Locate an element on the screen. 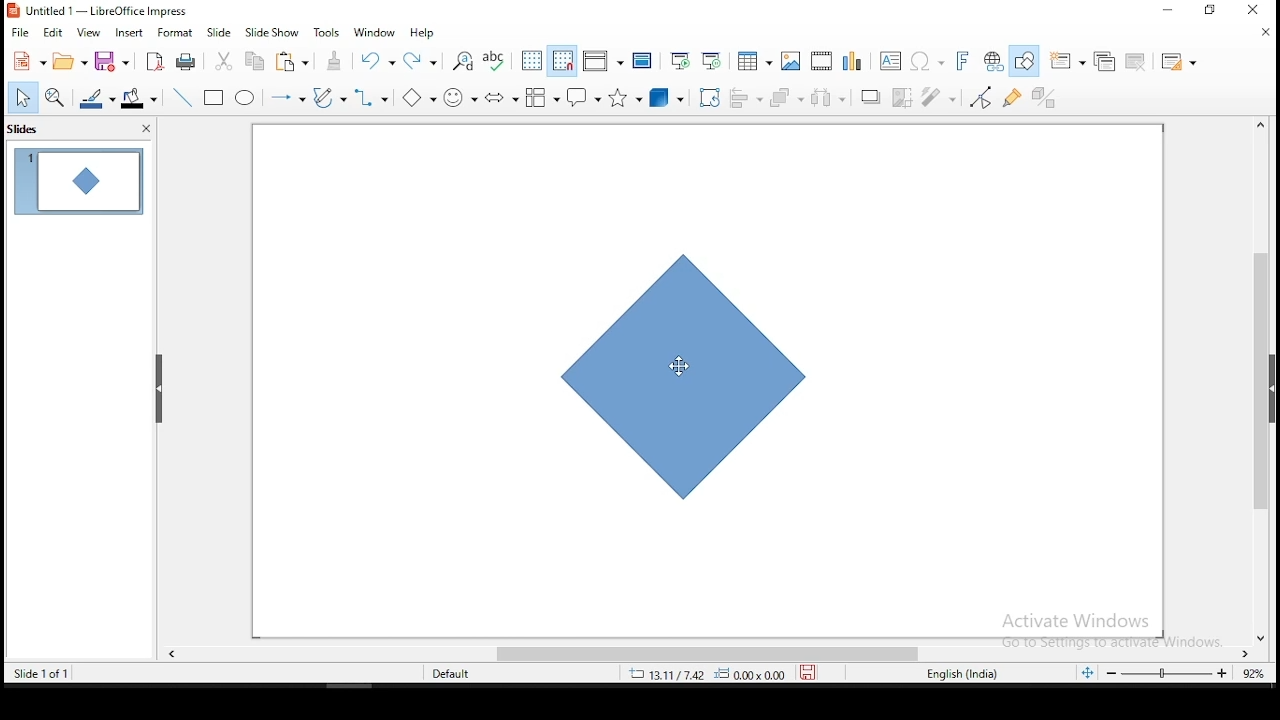 The width and height of the screenshot is (1280, 720). distribute is located at coordinates (829, 96).